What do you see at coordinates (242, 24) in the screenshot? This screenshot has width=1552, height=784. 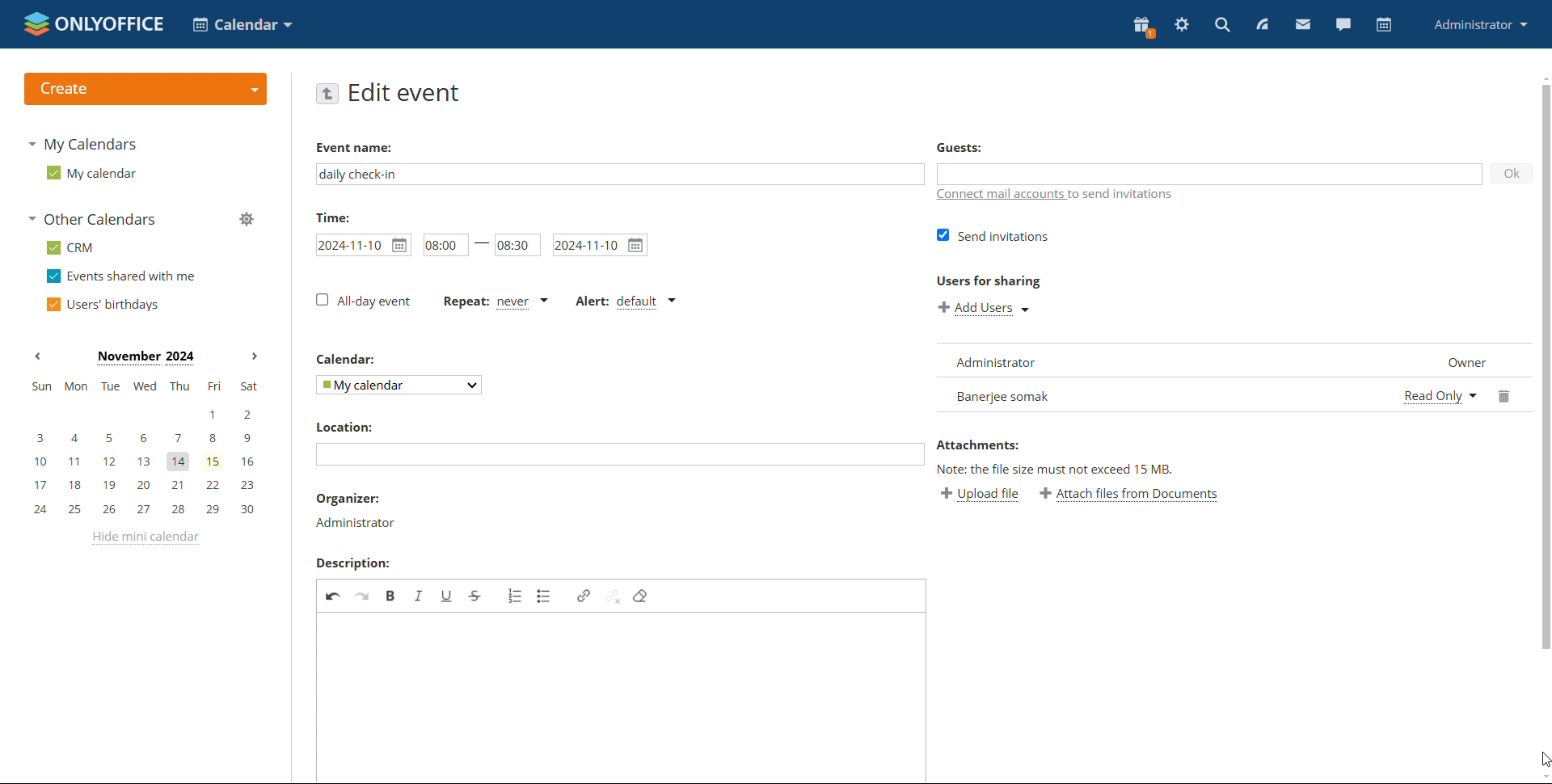 I see `select application` at bounding box center [242, 24].